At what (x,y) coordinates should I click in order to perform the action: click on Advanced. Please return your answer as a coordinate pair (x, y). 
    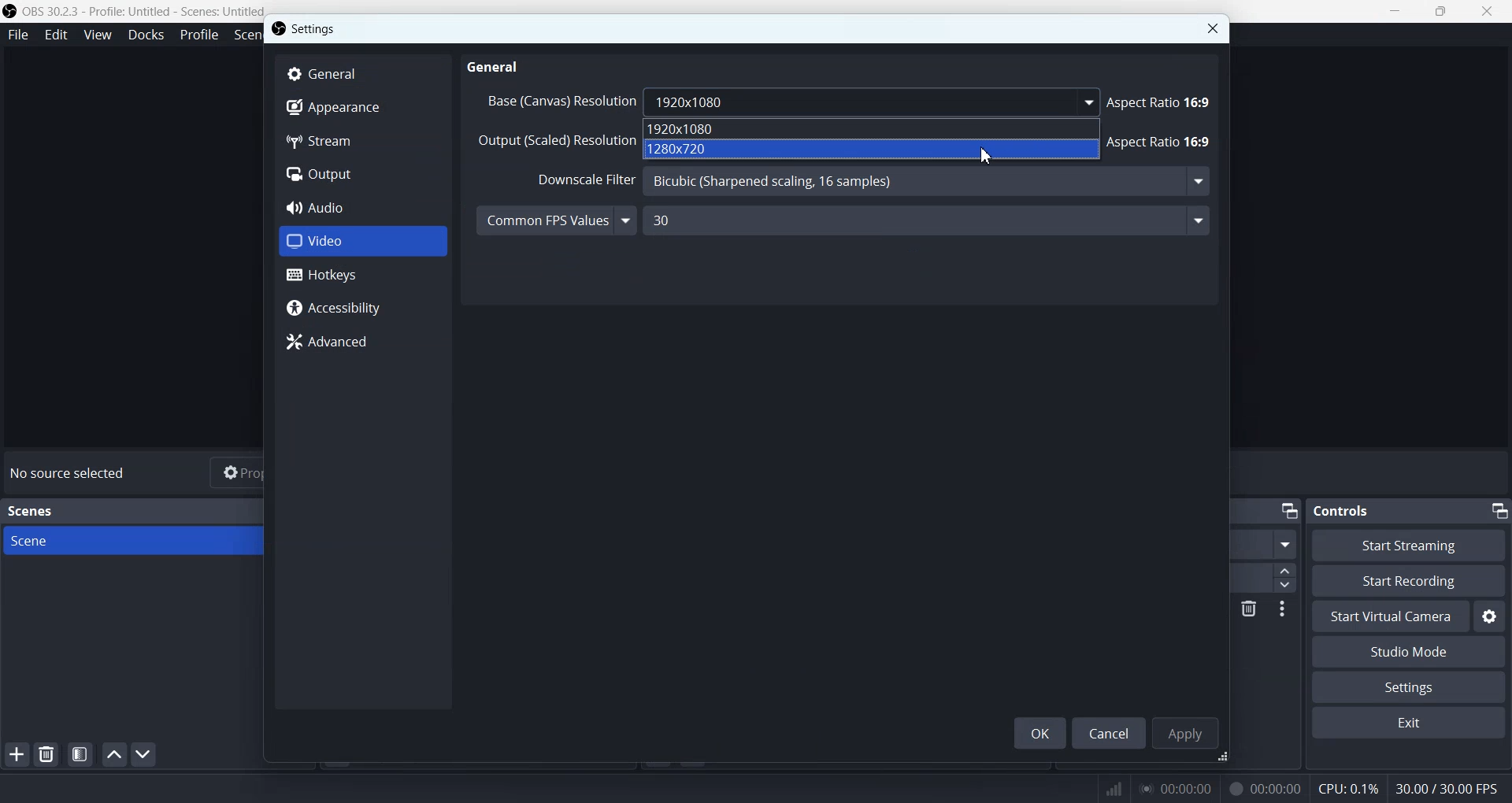
    Looking at the image, I should click on (364, 343).